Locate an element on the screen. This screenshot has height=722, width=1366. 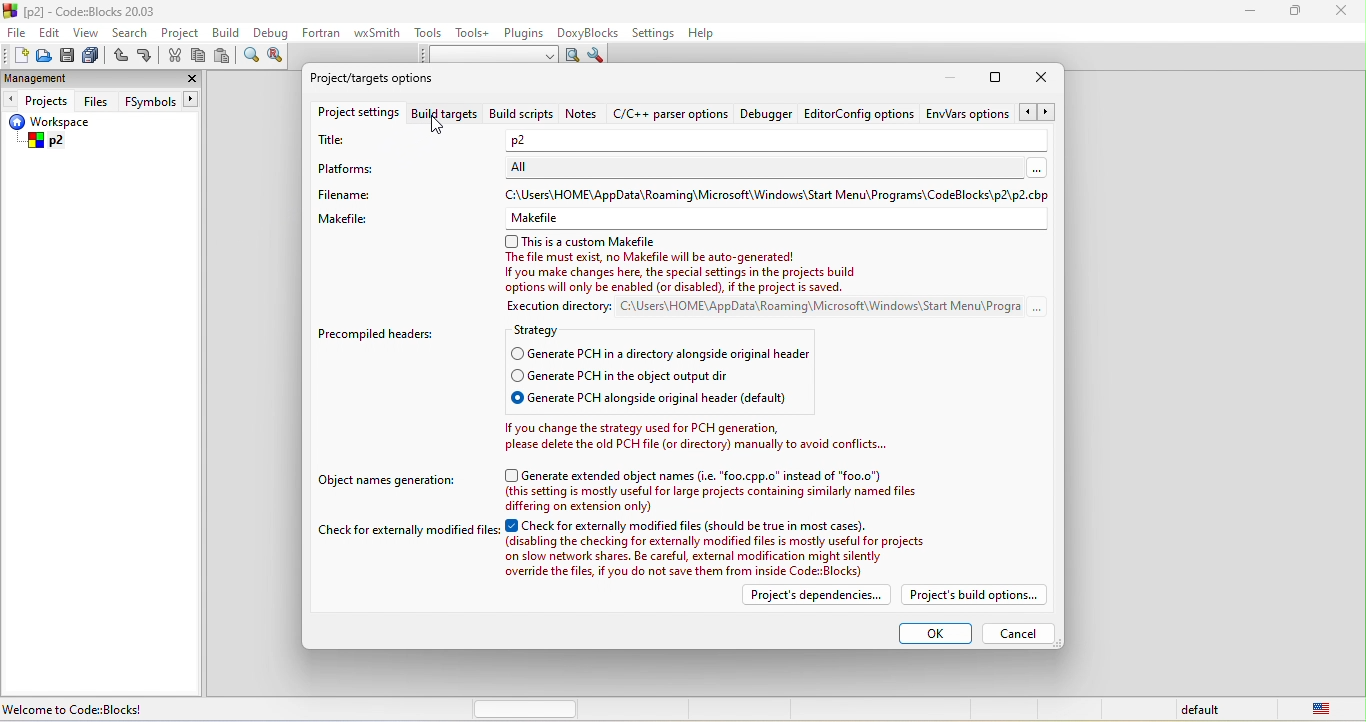
united state is located at coordinates (1329, 710).